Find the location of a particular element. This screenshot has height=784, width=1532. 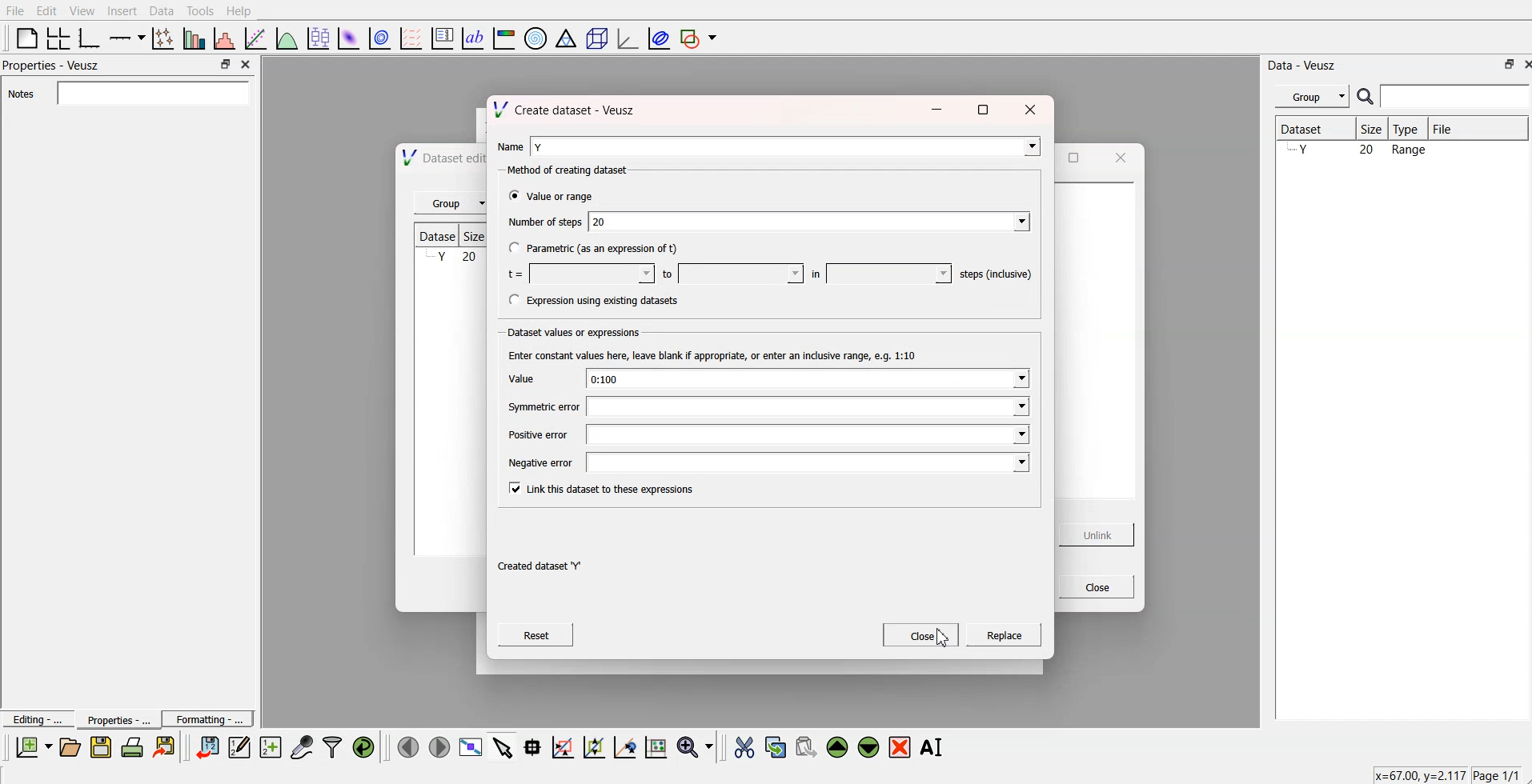

click to draw rectangle is located at coordinates (563, 746).